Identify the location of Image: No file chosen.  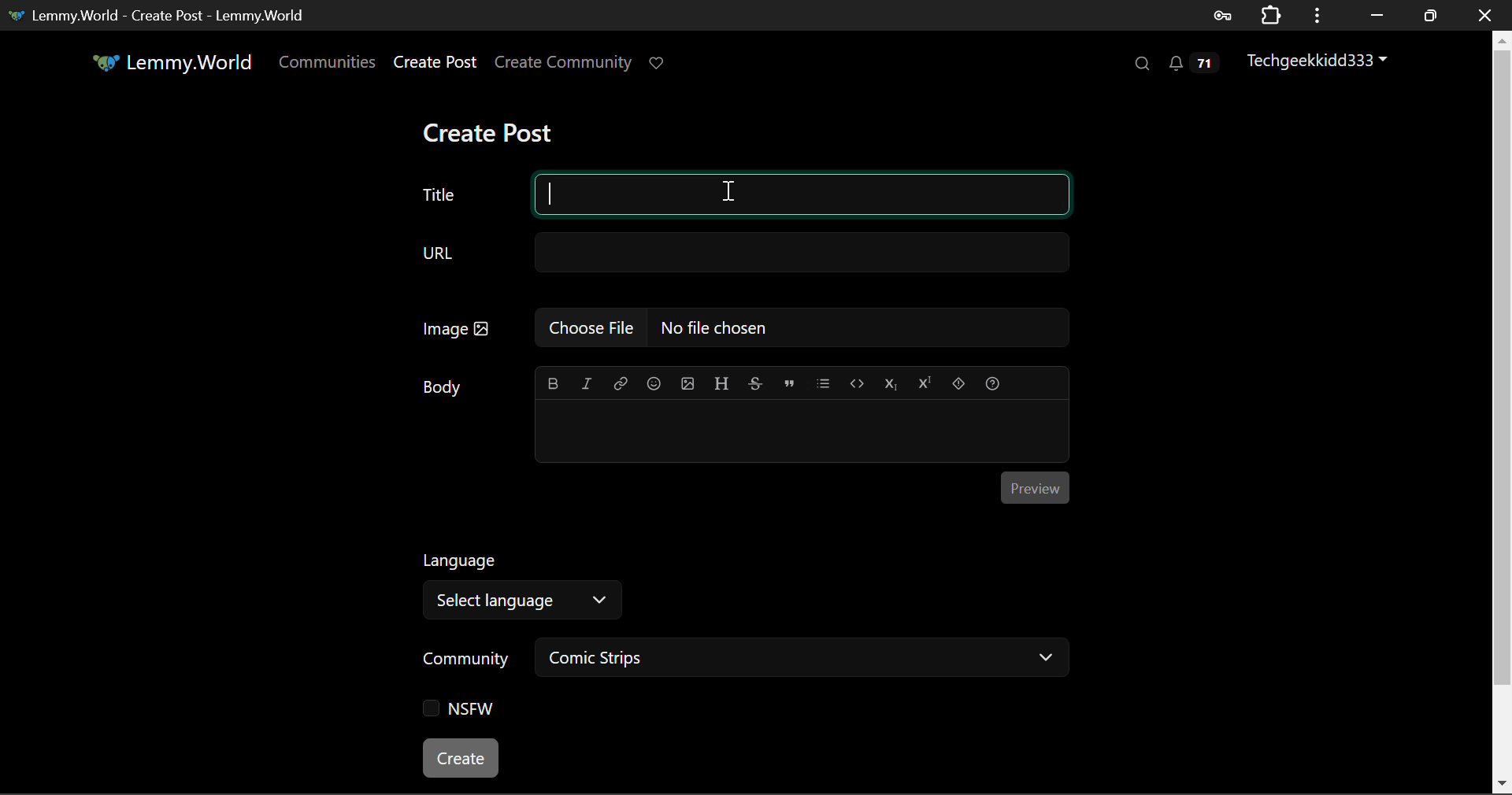
(743, 325).